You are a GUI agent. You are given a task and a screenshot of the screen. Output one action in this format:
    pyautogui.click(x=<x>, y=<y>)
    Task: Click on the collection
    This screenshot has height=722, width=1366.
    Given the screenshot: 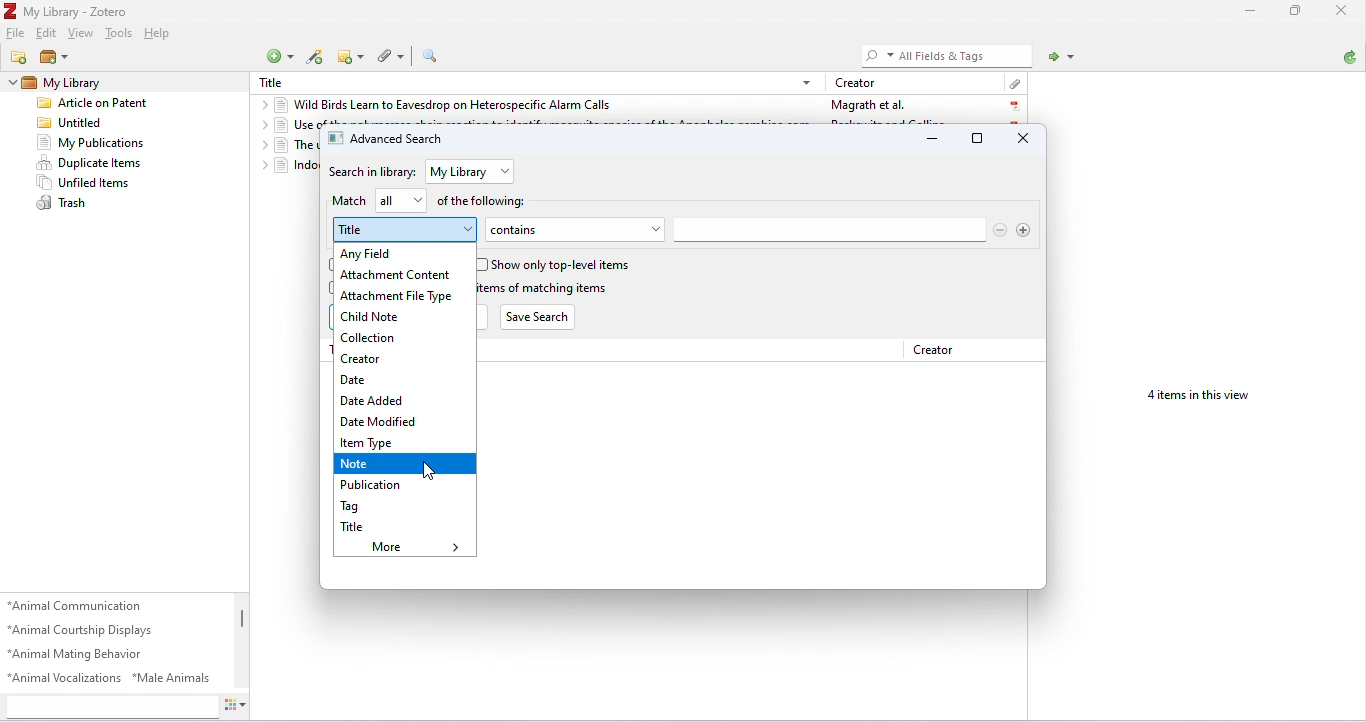 What is the action you would take?
    pyautogui.click(x=373, y=338)
    